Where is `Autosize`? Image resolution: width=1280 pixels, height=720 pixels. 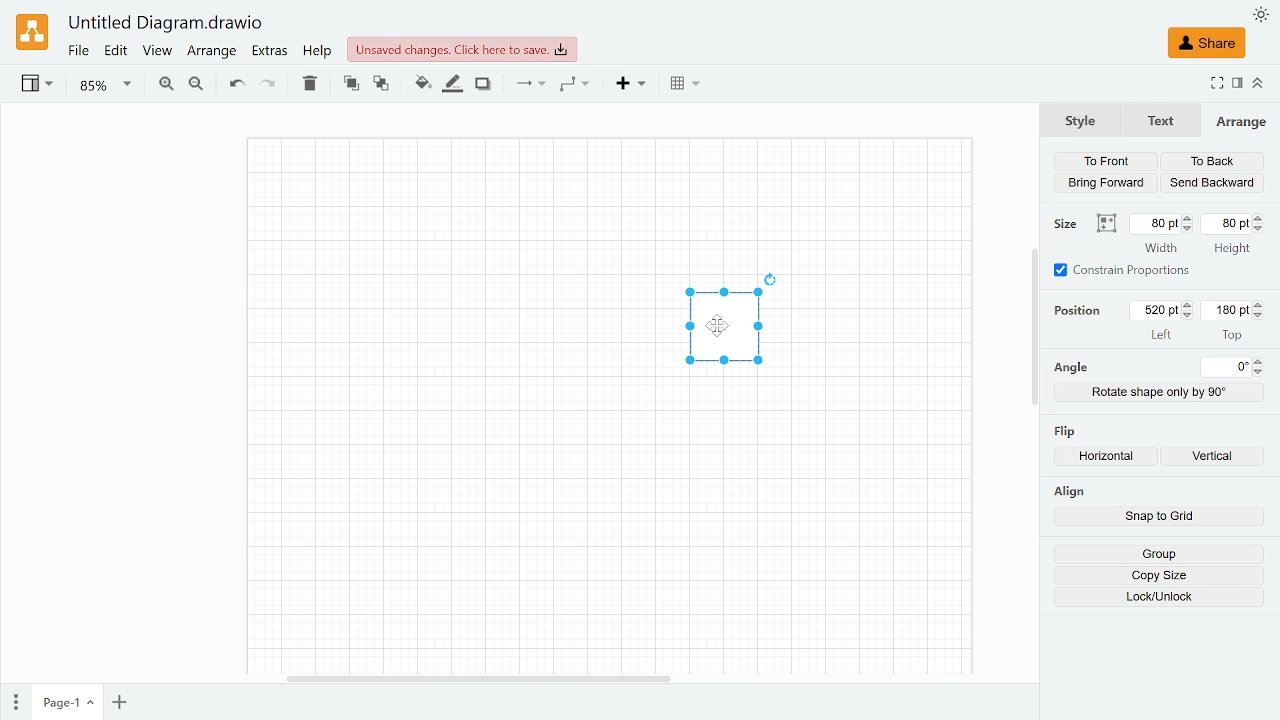 Autosize is located at coordinates (1106, 224).